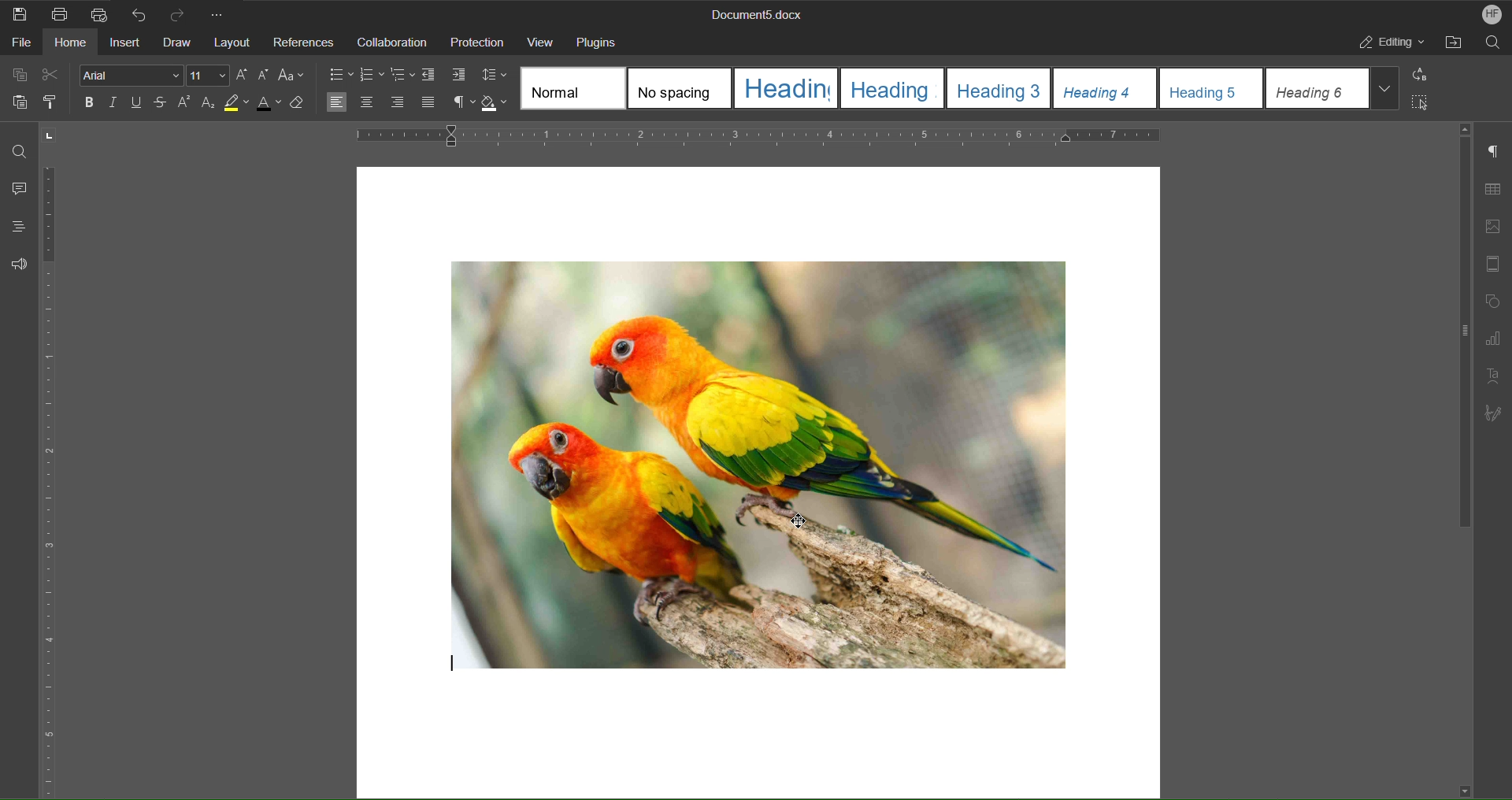 The image size is (1512, 800). Describe the element at coordinates (244, 75) in the screenshot. I see `Increase Size` at that location.